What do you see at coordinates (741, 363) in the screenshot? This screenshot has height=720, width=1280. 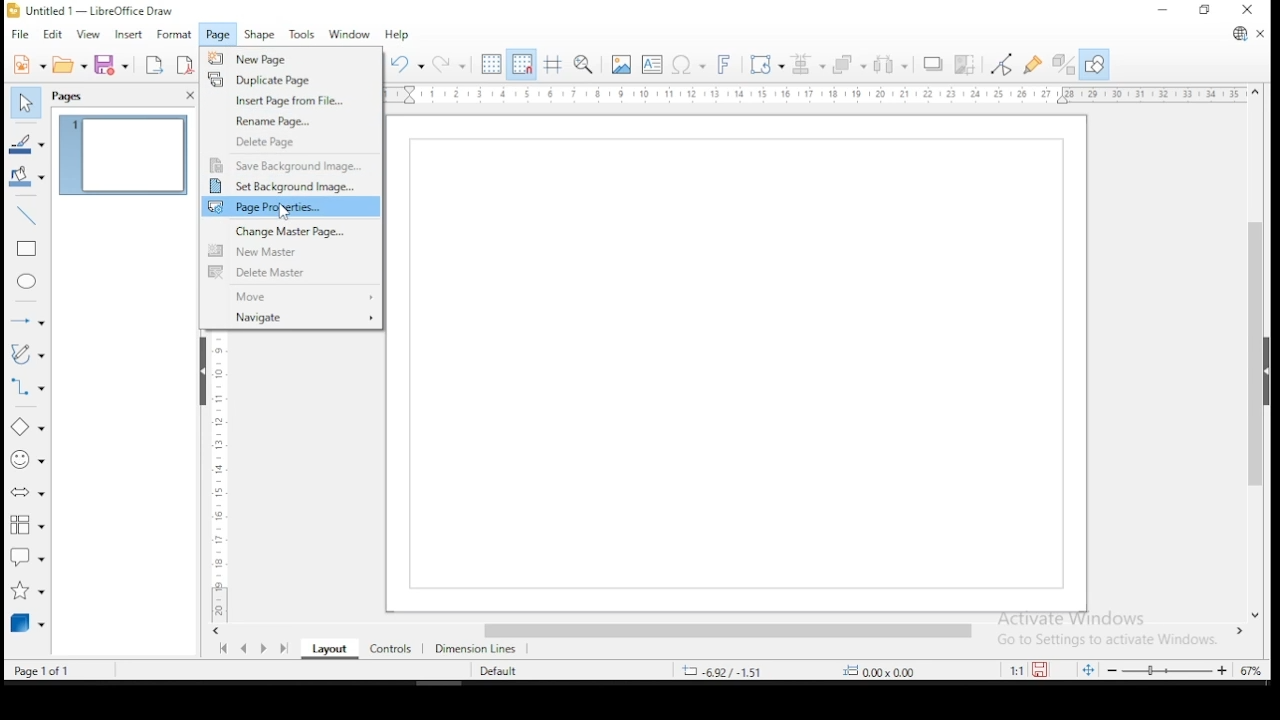 I see `Page` at bounding box center [741, 363].